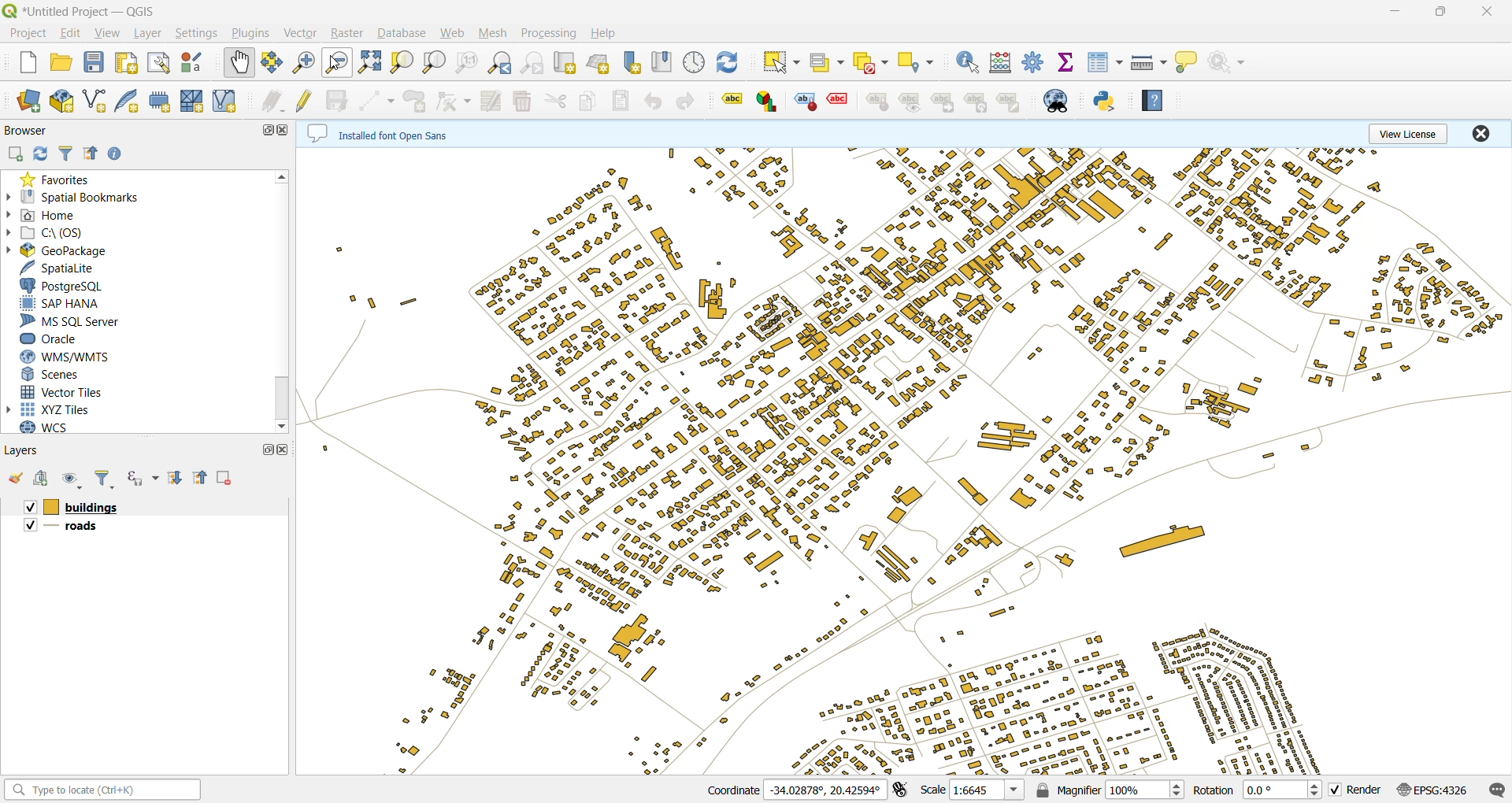  Describe the element at coordinates (69, 527) in the screenshot. I see `layers` at that location.